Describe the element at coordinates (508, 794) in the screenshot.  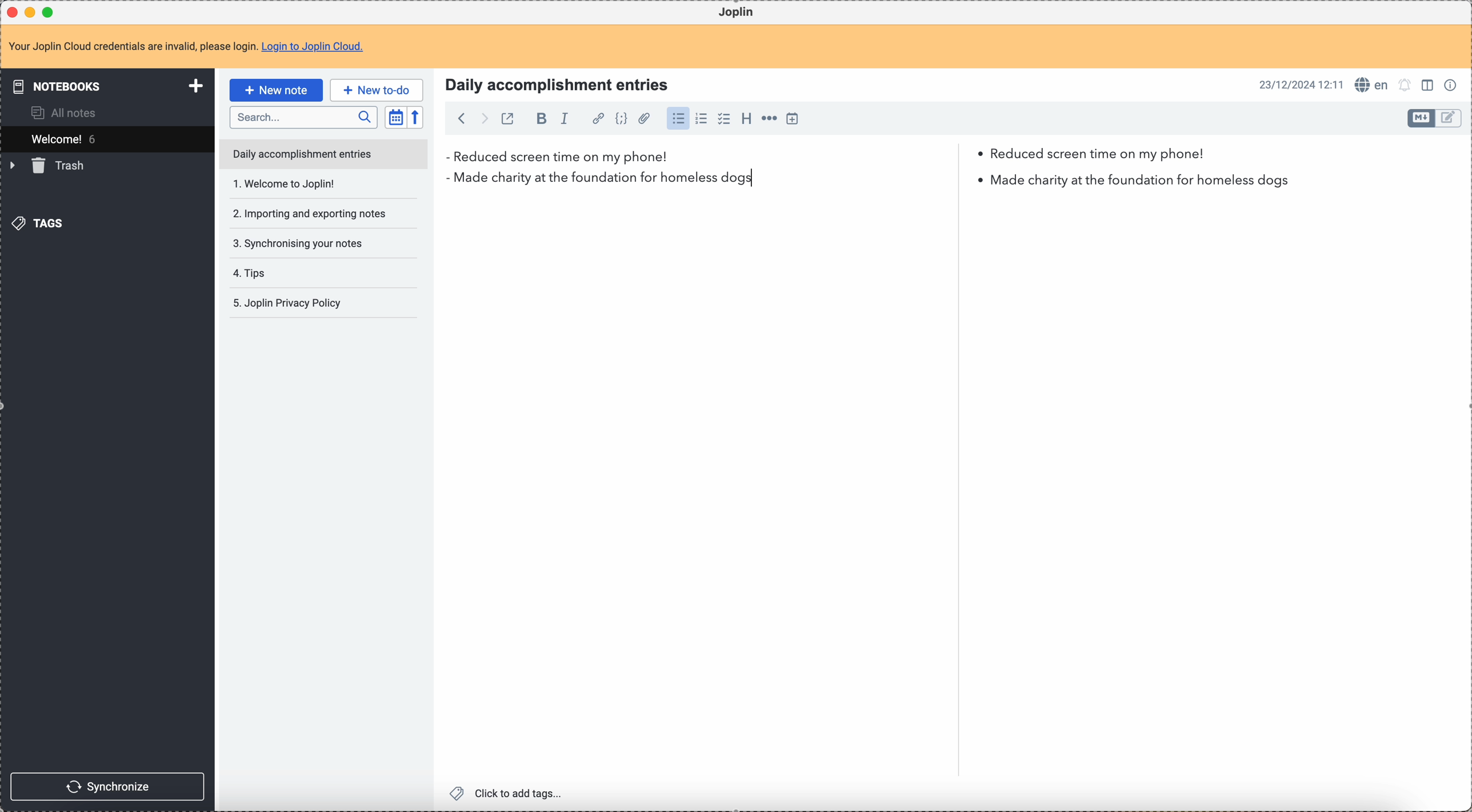
I see `click to add tags` at that location.